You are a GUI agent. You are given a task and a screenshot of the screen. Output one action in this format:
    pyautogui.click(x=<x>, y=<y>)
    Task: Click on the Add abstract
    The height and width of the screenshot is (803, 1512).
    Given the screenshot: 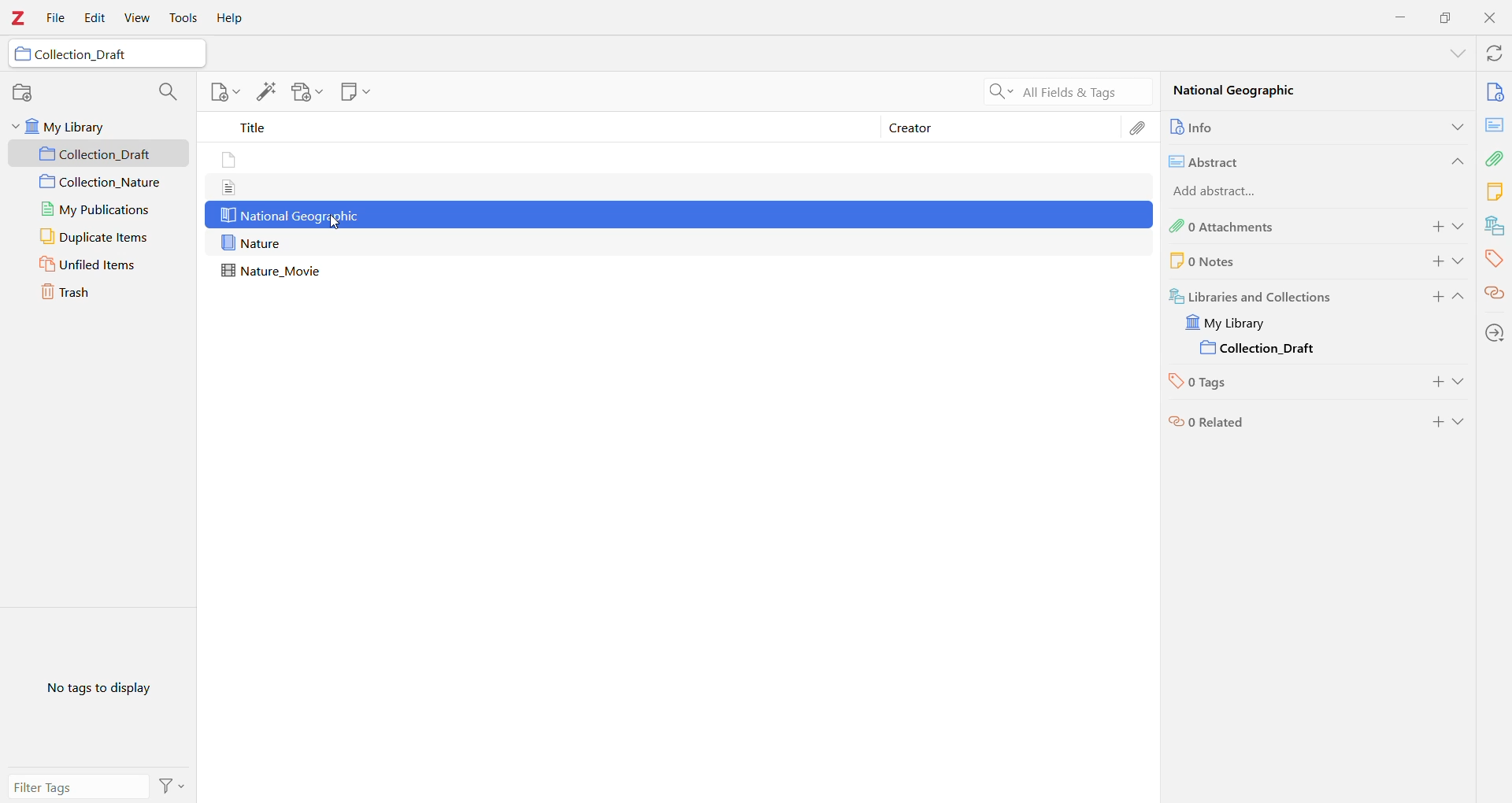 What is the action you would take?
    pyautogui.click(x=1234, y=192)
    